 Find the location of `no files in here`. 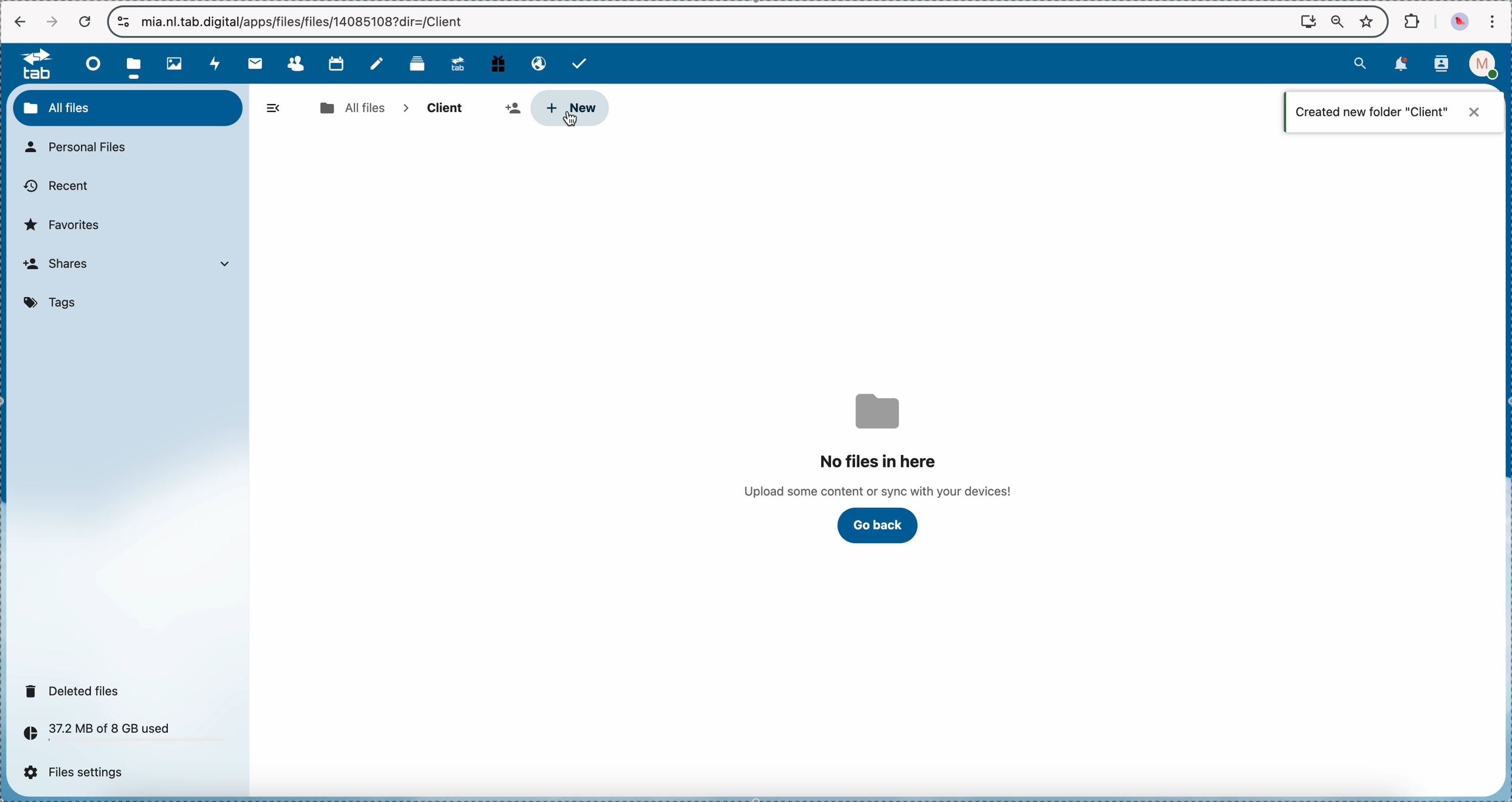

no files in here is located at coordinates (880, 445).